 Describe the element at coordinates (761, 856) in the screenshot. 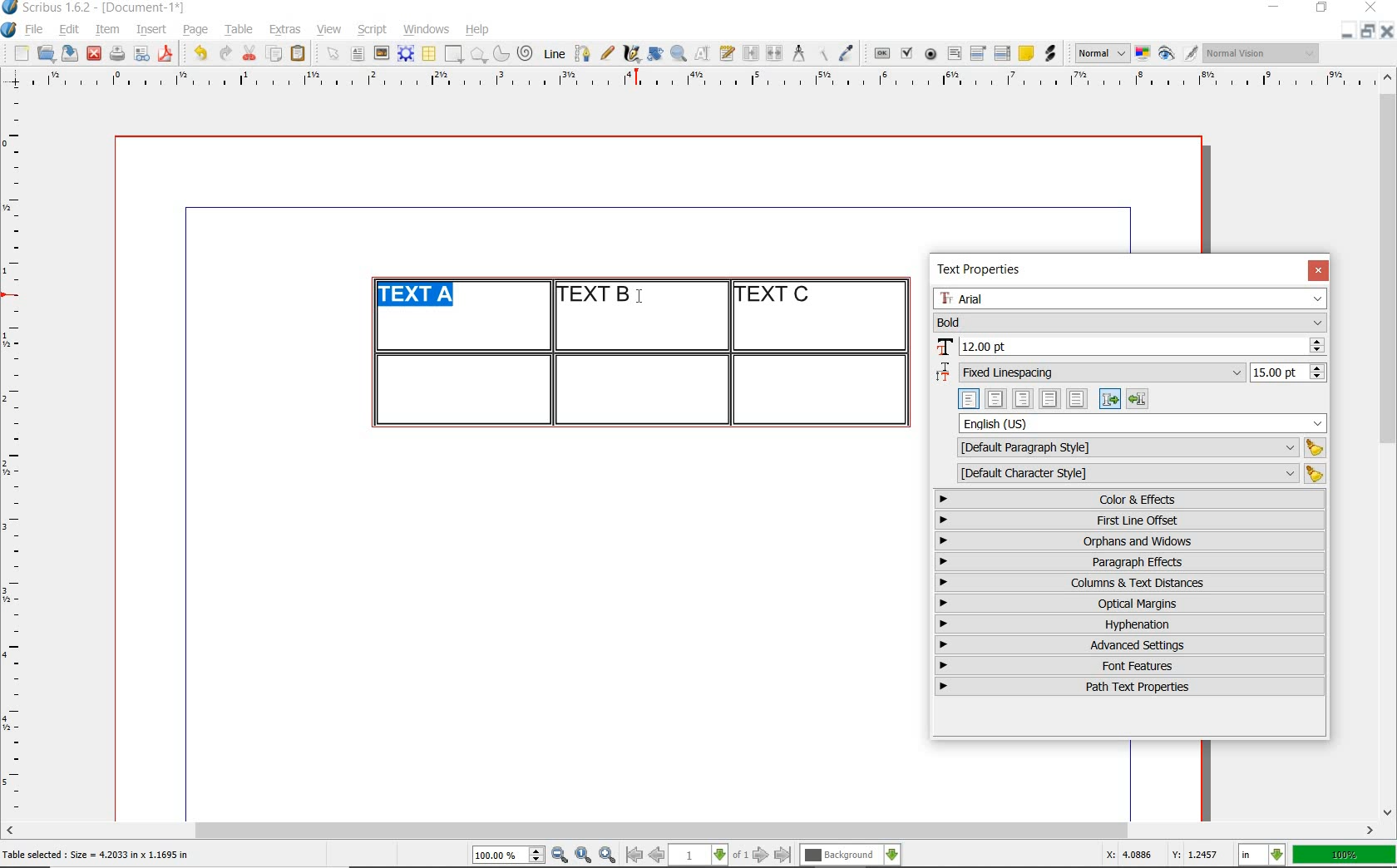

I see `go to next page` at that location.